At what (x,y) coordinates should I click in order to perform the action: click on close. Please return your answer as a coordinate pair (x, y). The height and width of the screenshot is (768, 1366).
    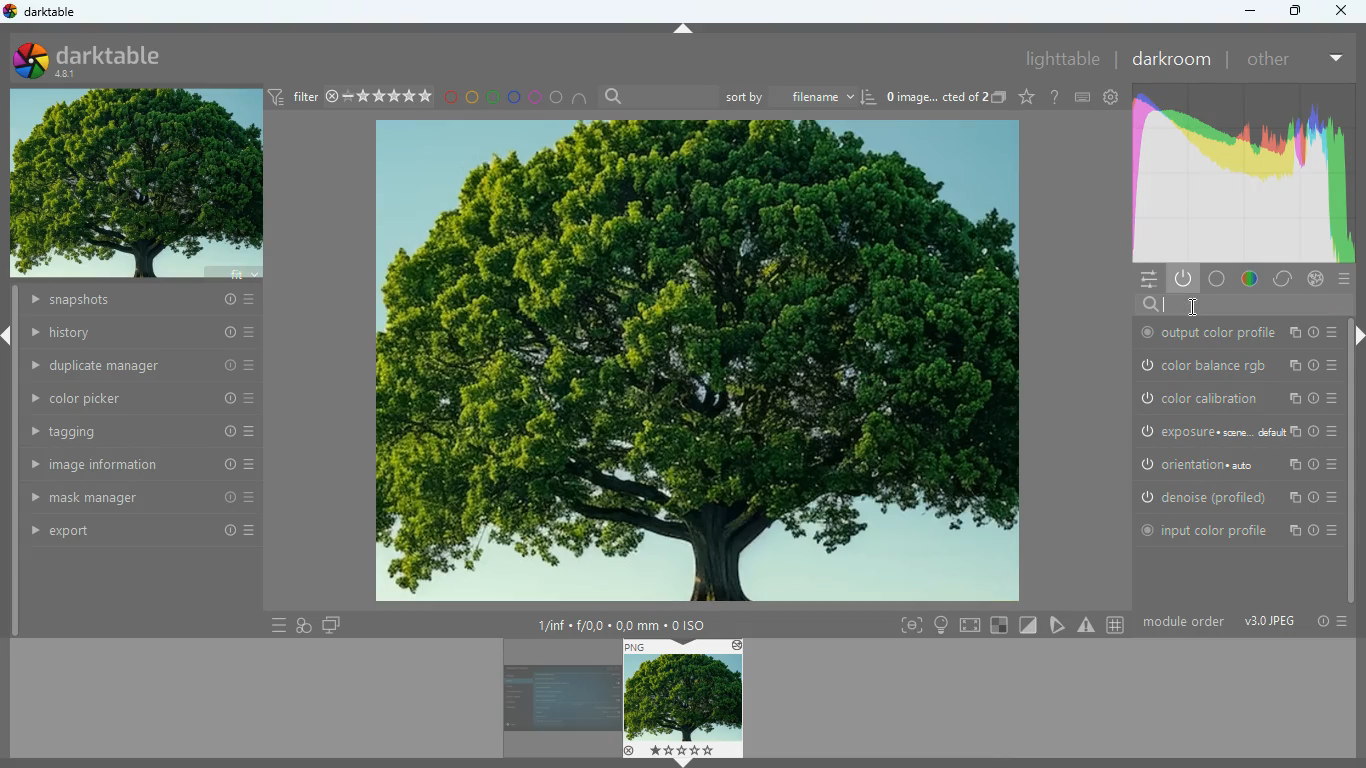
    Looking at the image, I should click on (1346, 11).